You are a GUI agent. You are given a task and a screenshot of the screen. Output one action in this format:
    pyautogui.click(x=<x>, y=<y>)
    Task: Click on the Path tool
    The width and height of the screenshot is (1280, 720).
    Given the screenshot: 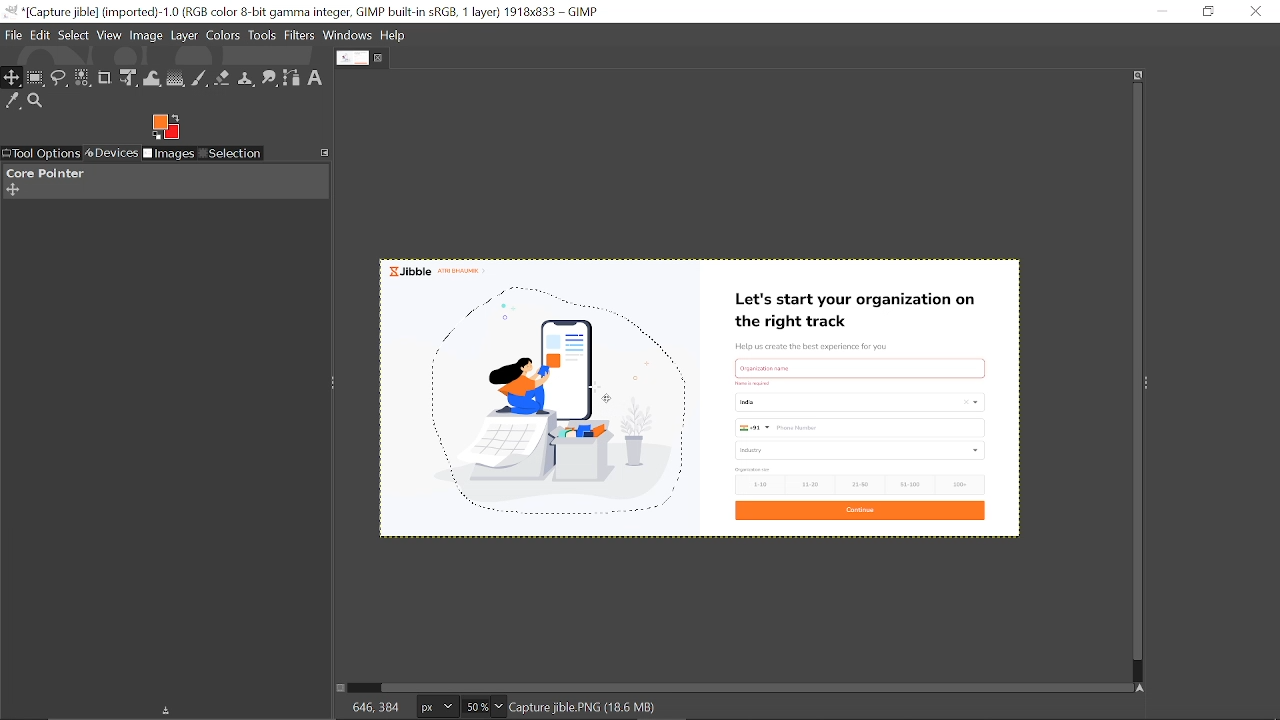 What is the action you would take?
    pyautogui.click(x=292, y=79)
    